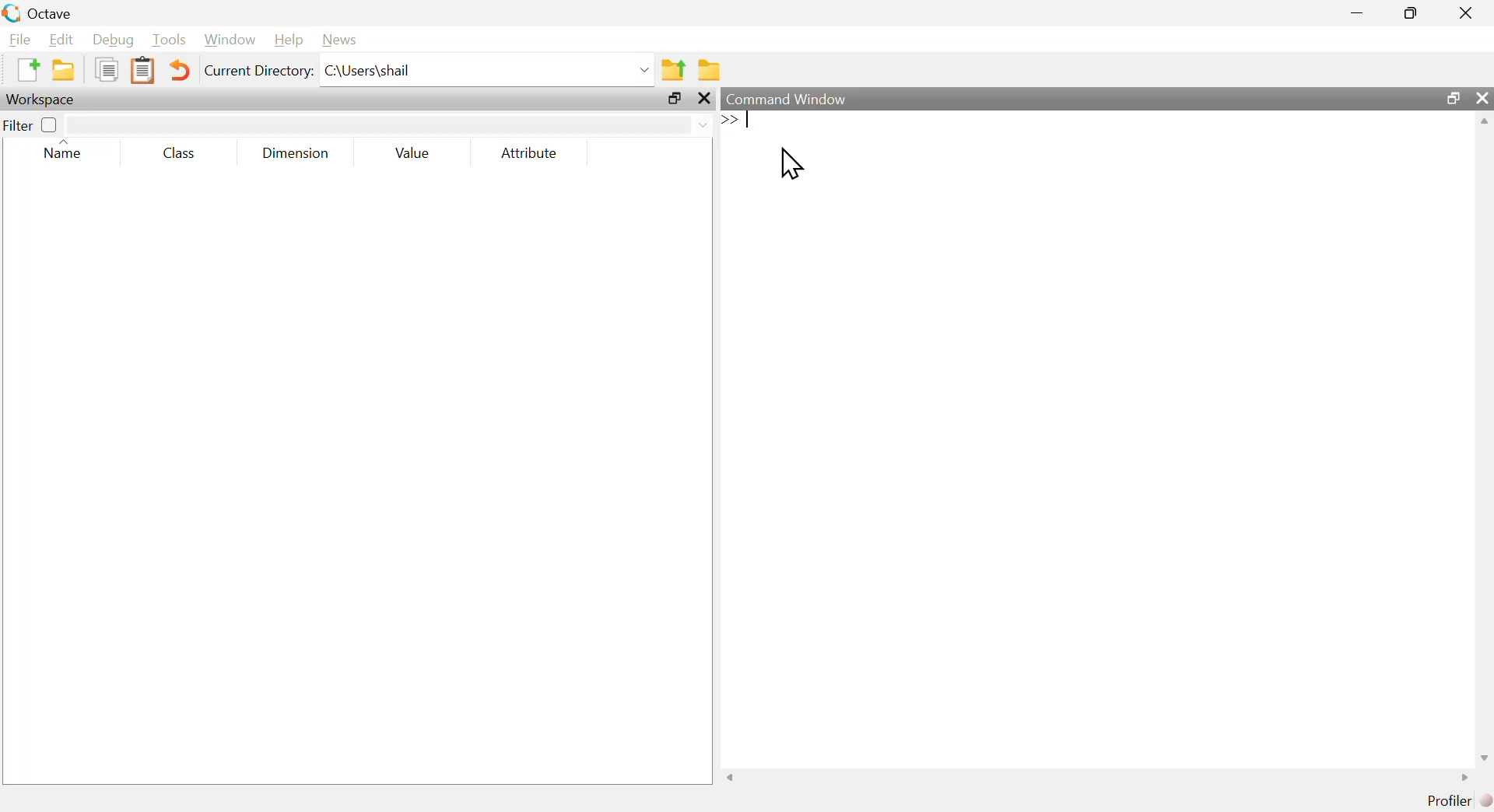  Describe the element at coordinates (21, 128) in the screenshot. I see `Filter` at that location.